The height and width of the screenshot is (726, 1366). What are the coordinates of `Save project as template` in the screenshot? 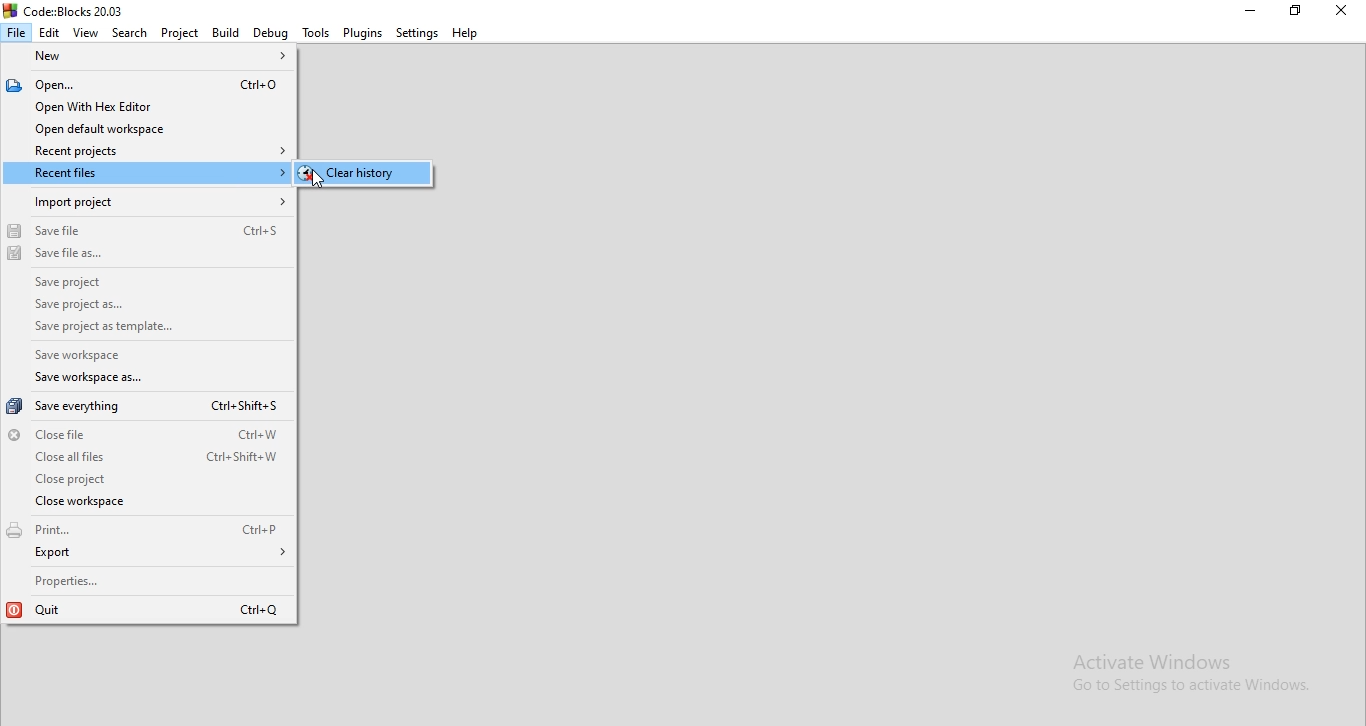 It's located at (119, 329).